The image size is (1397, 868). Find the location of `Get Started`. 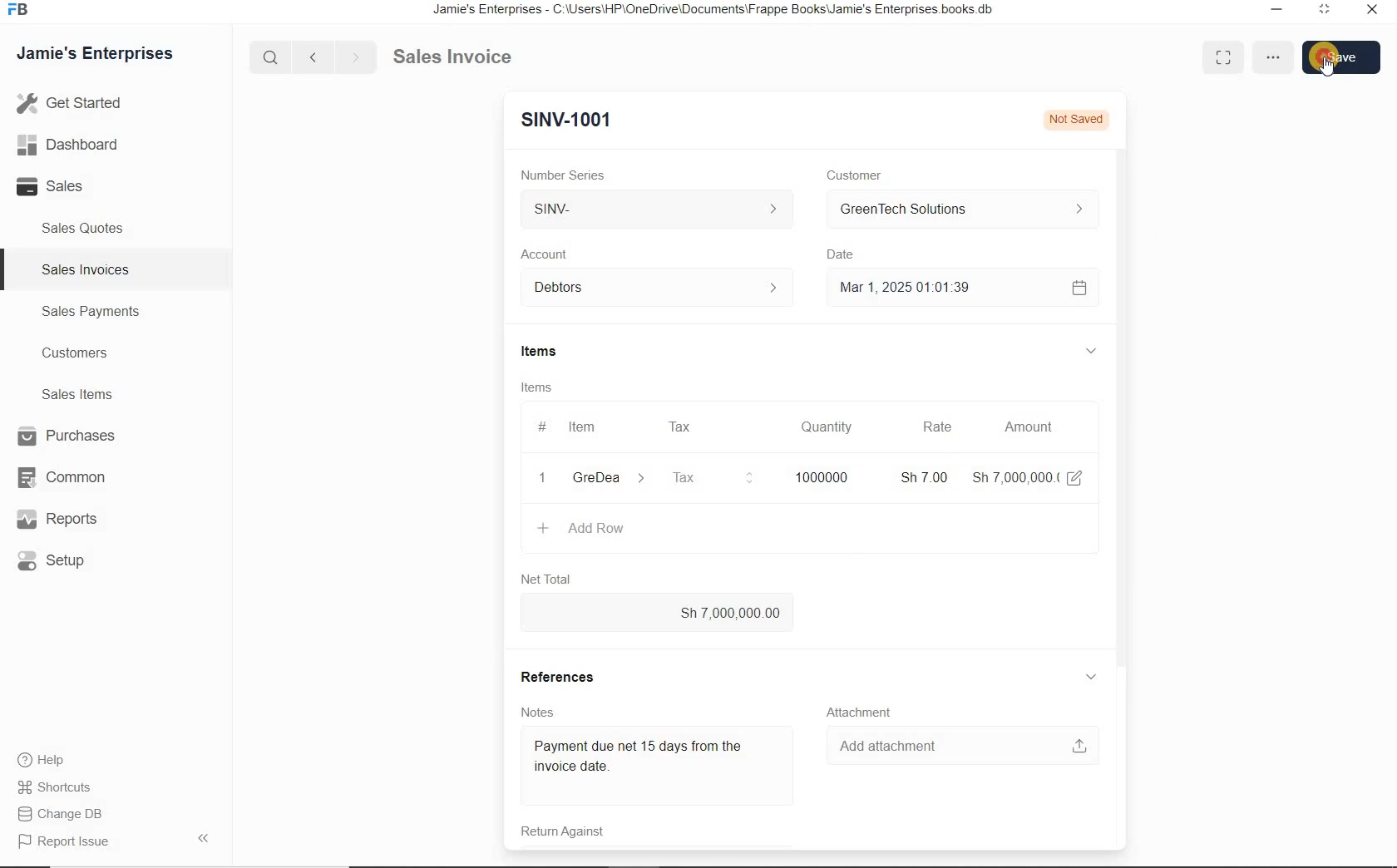

Get Started is located at coordinates (70, 105).